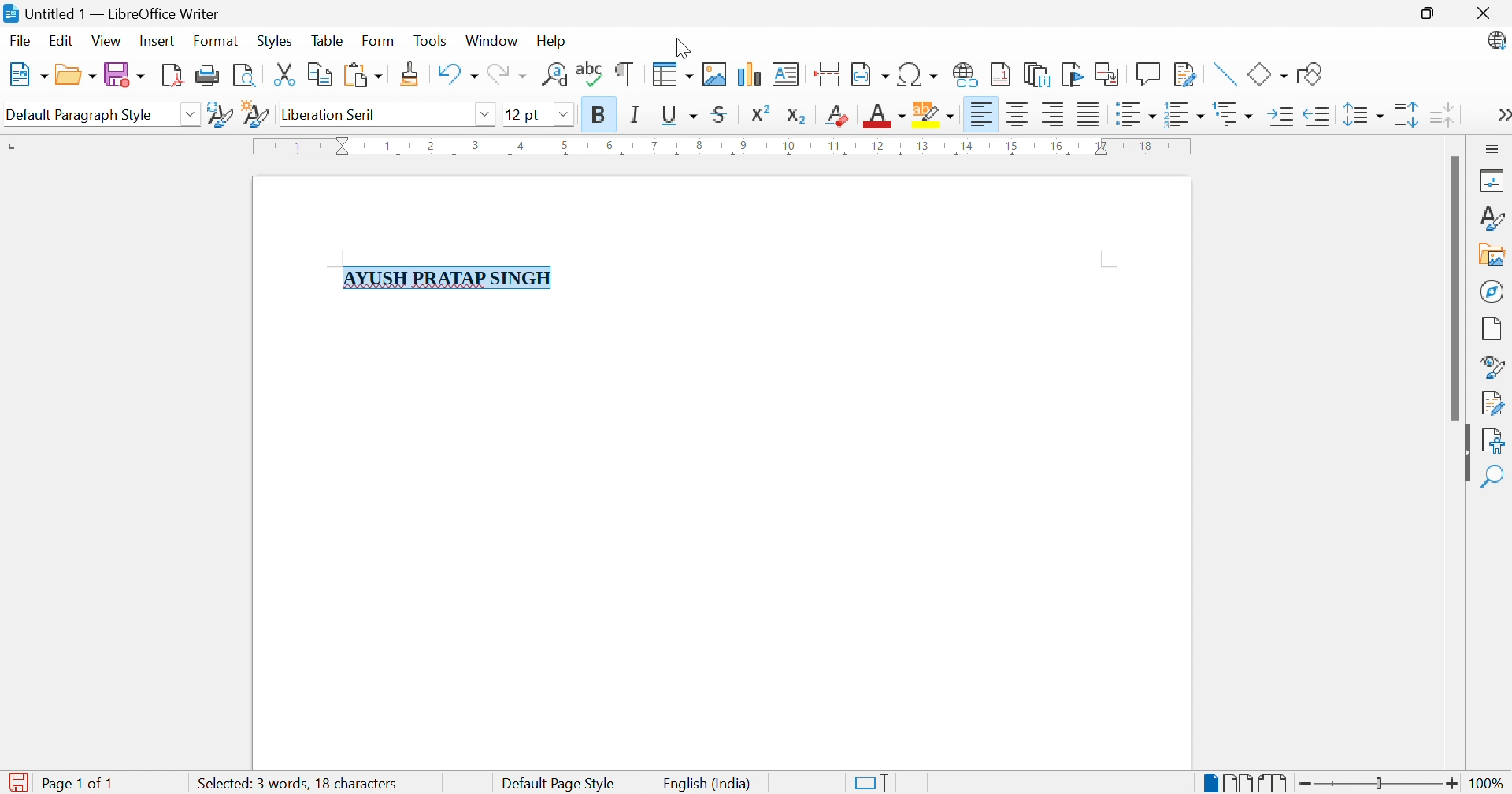  I want to click on Insert Page Break, so click(828, 74).